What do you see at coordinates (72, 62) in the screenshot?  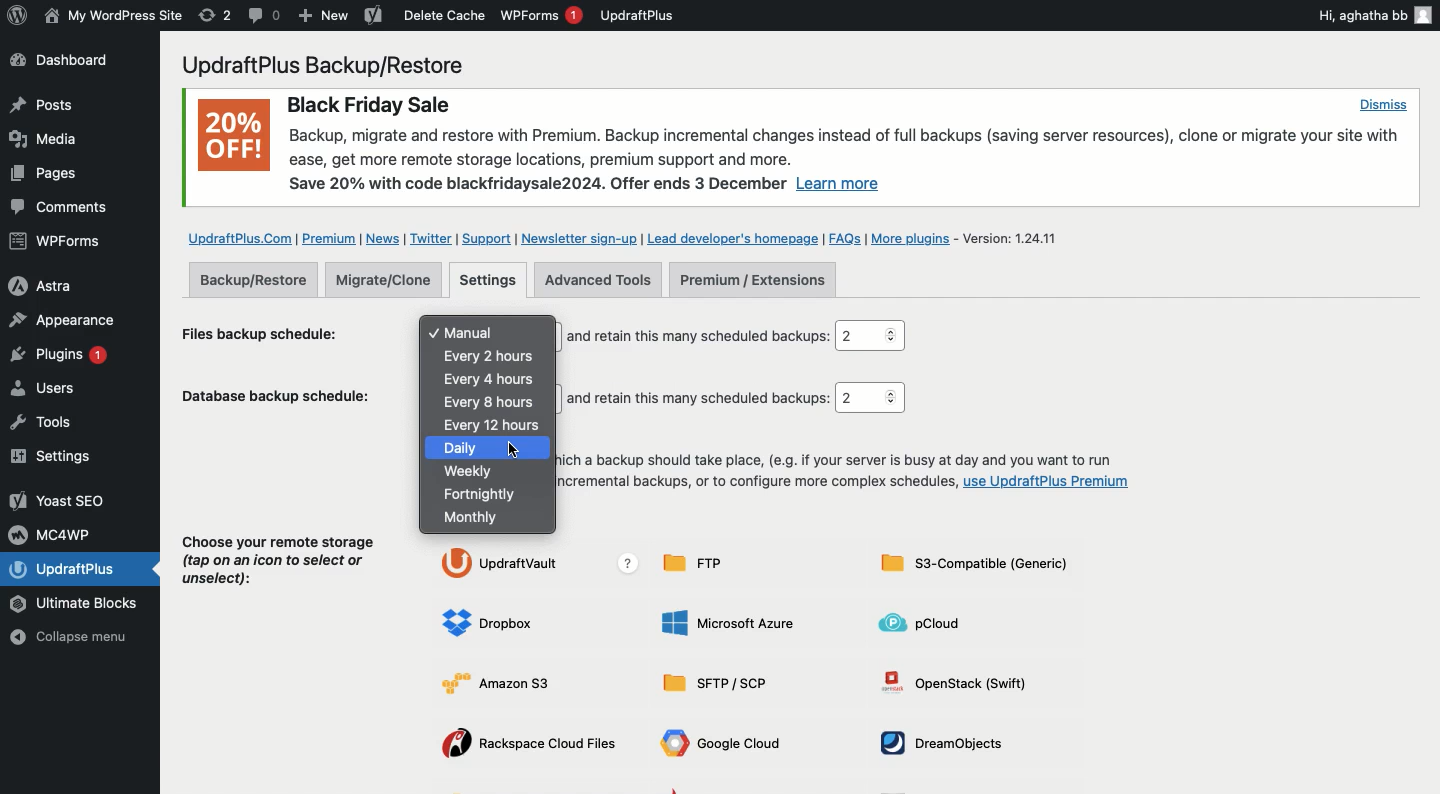 I see `Dashboard` at bounding box center [72, 62].